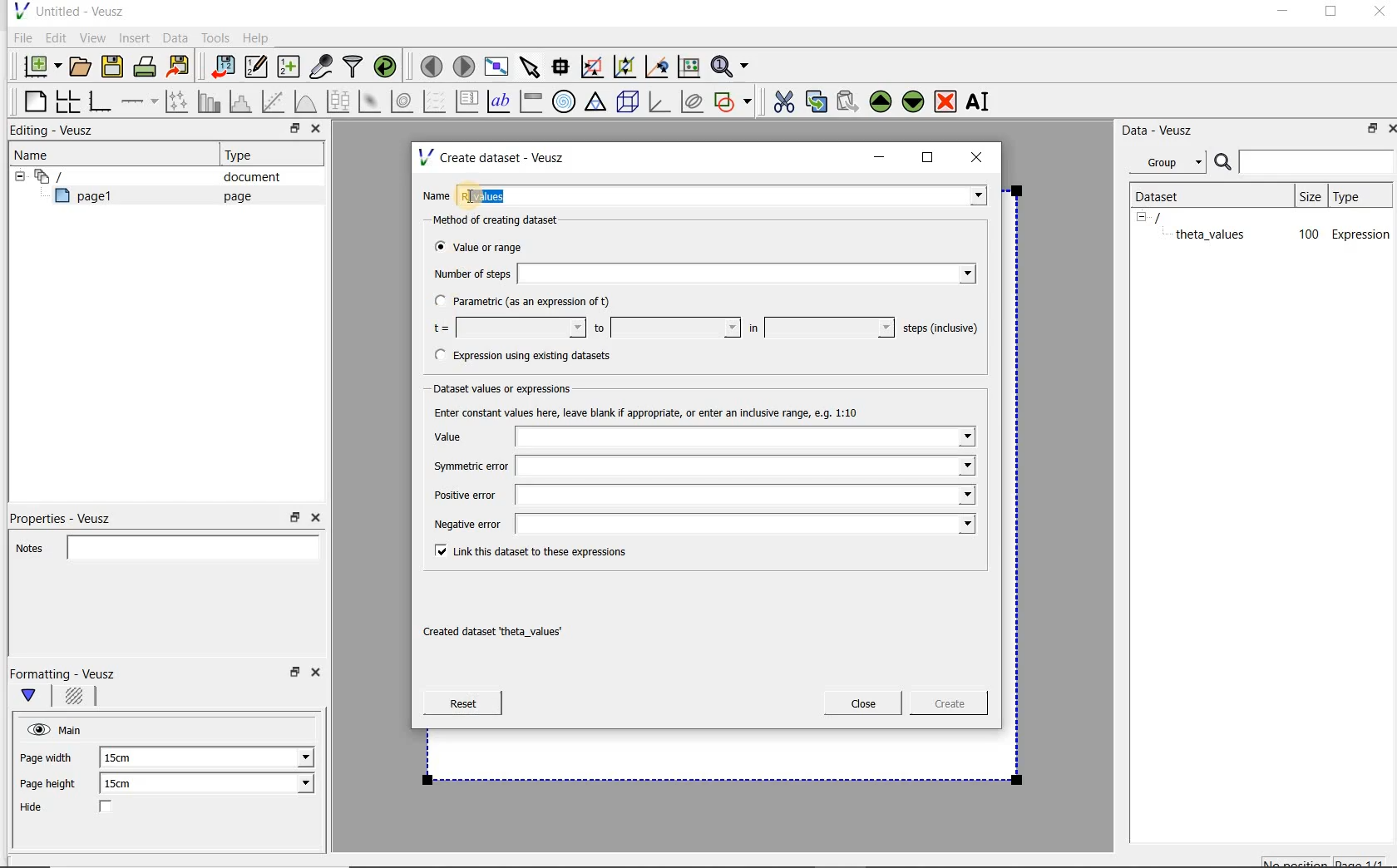 The width and height of the screenshot is (1397, 868). I want to click on Symmetric error, so click(702, 467).